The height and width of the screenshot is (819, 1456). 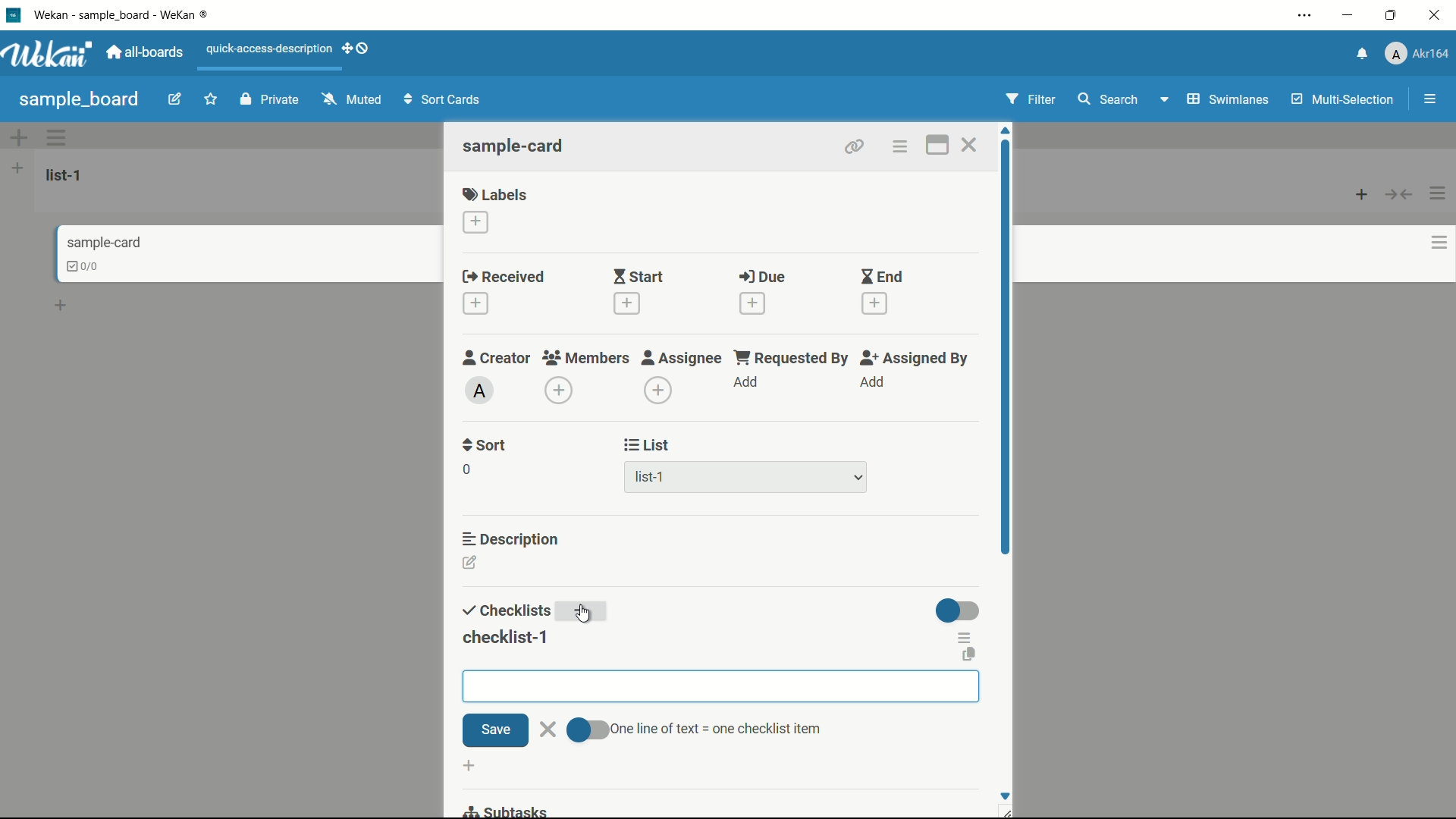 What do you see at coordinates (84, 266) in the screenshot?
I see `cklist` at bounding box center [84, 266].